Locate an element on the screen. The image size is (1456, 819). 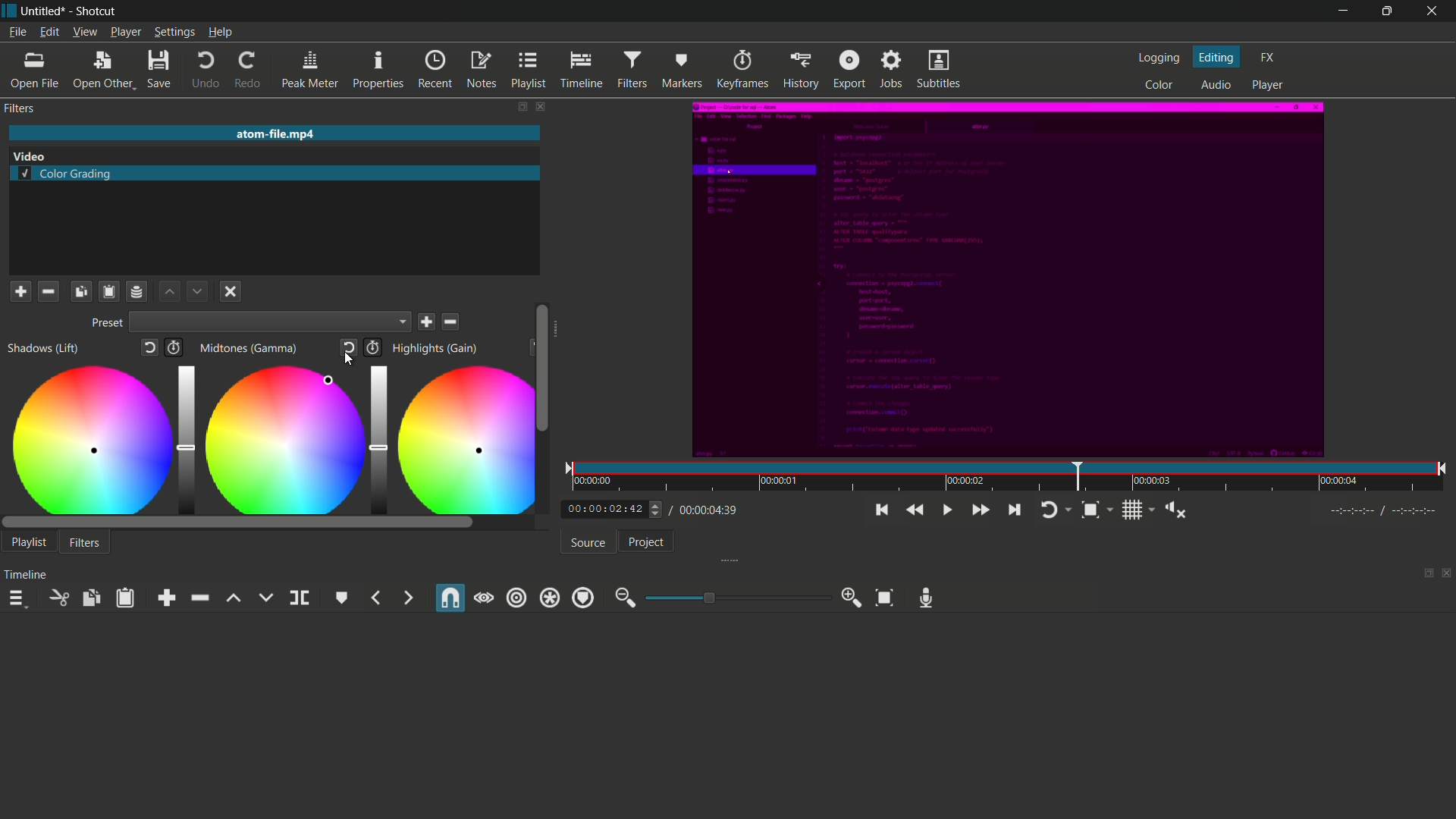
dropdown is located at coordinates (271, 324).